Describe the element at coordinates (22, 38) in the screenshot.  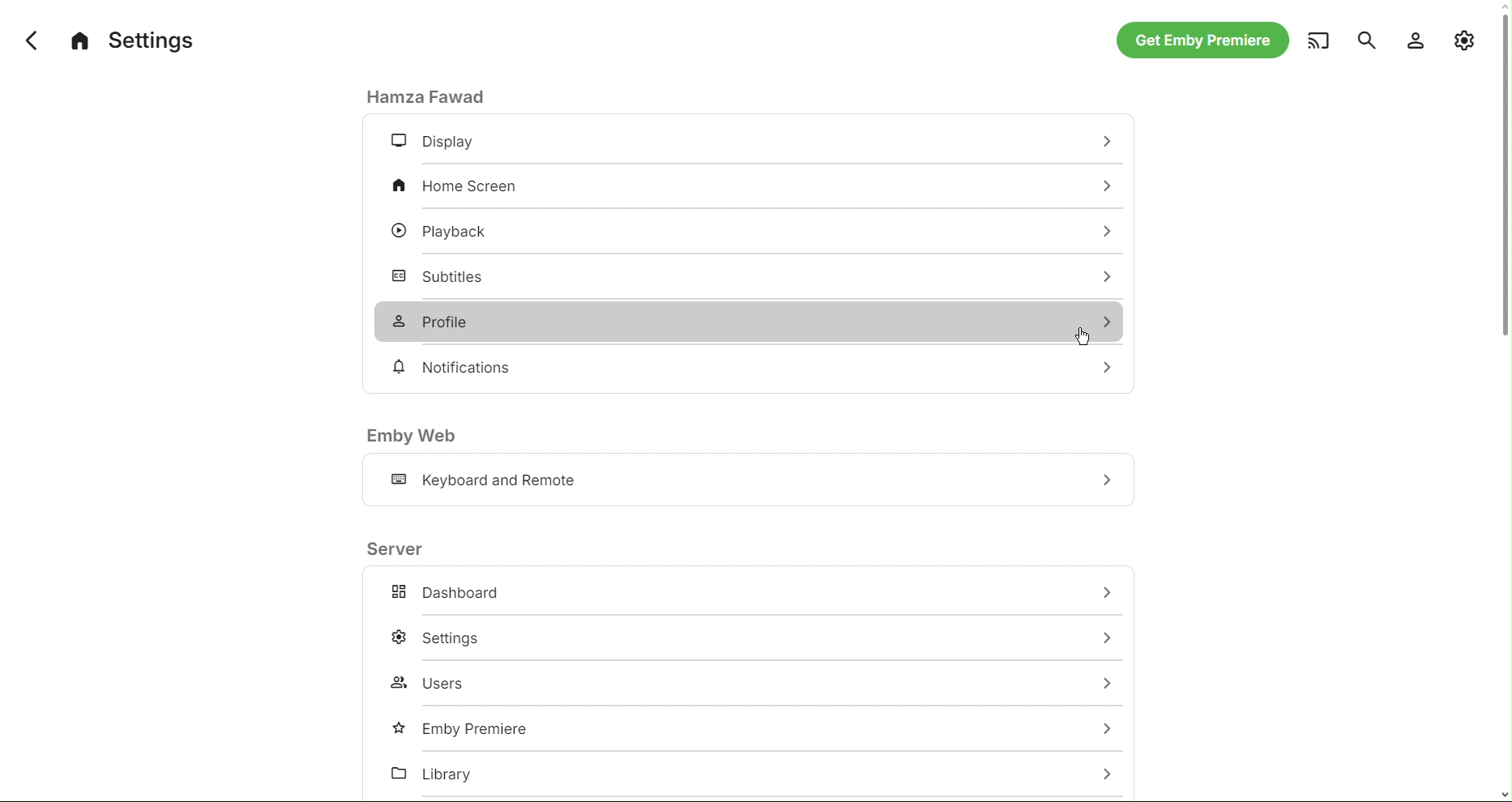
I see `Back` at that location.